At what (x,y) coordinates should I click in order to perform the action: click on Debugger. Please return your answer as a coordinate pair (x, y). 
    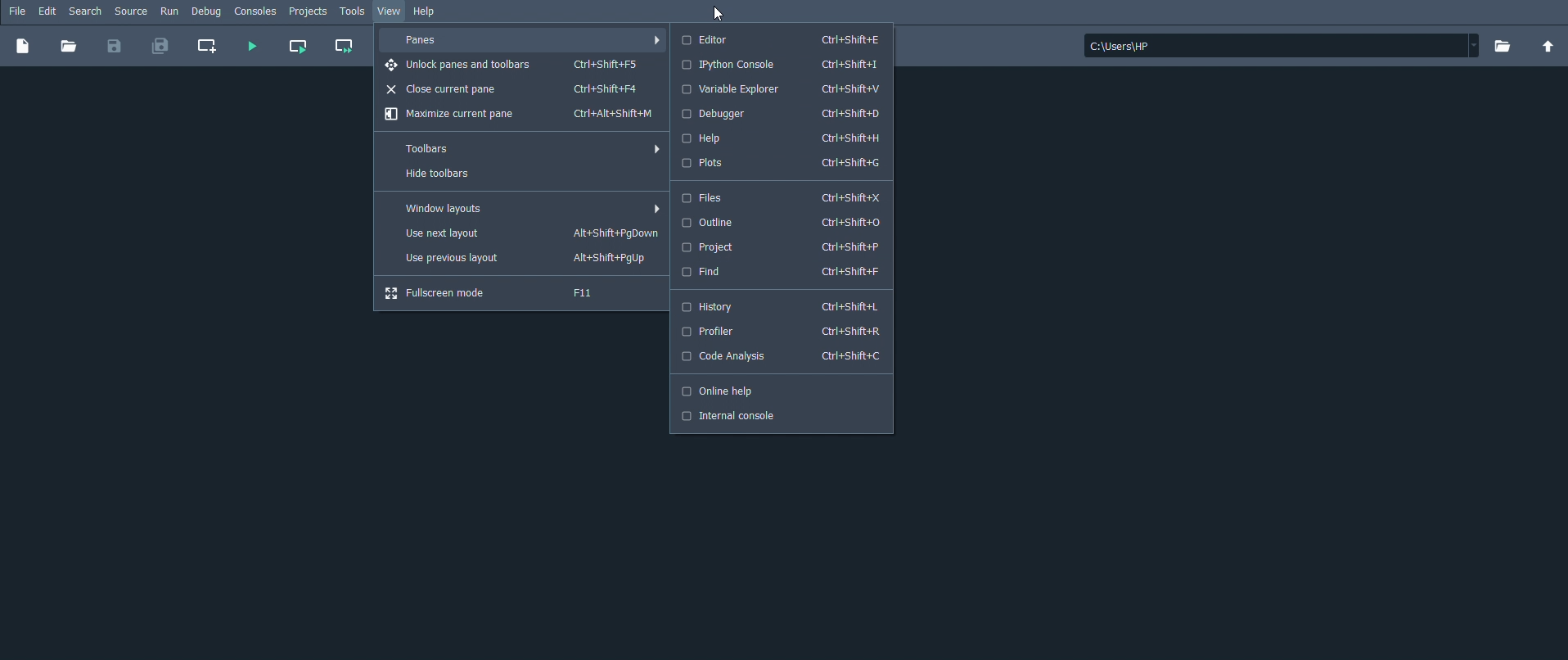
    Looking at the image, I should click on (786, 114).